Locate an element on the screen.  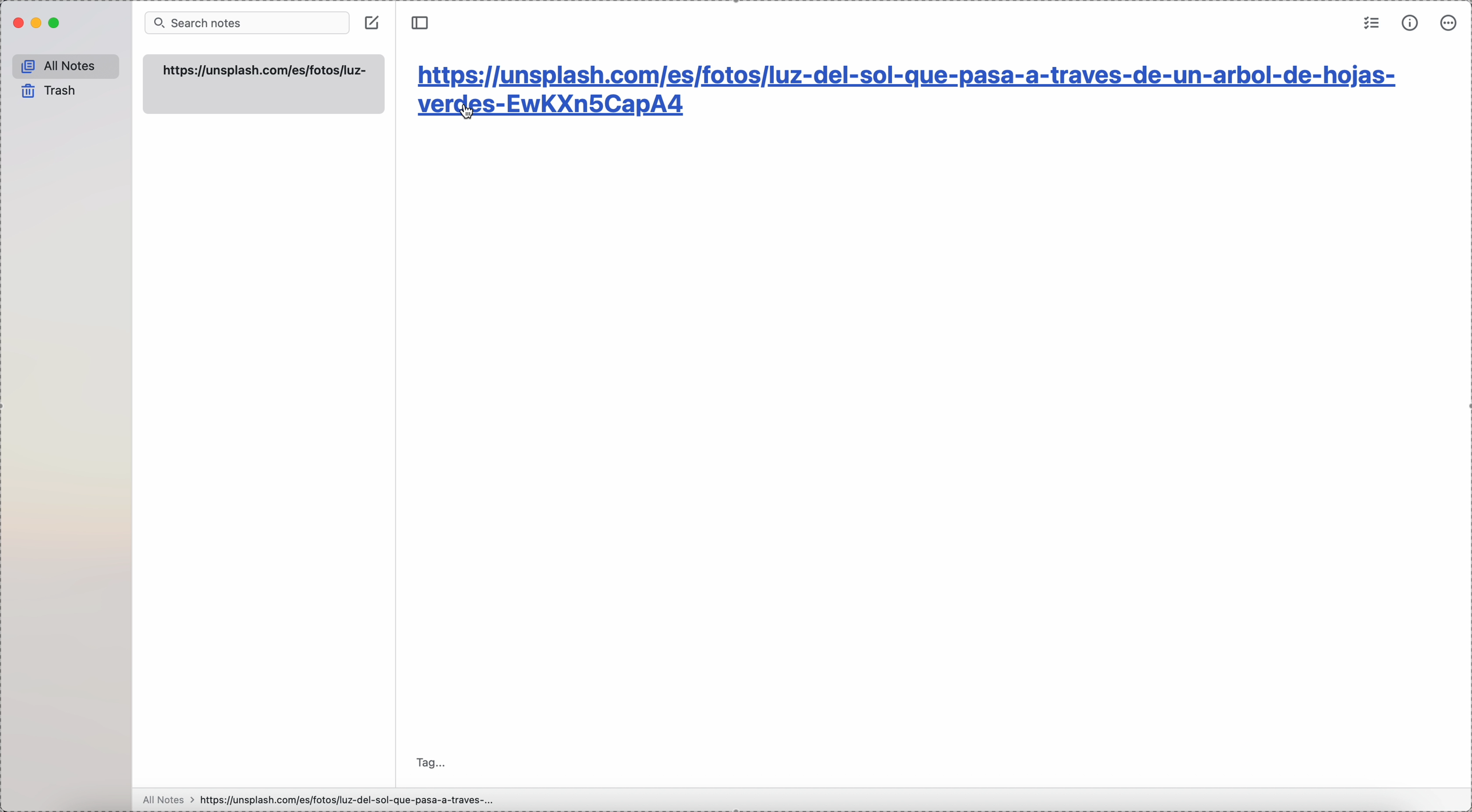
all notes is located at coordinates (67, 67).